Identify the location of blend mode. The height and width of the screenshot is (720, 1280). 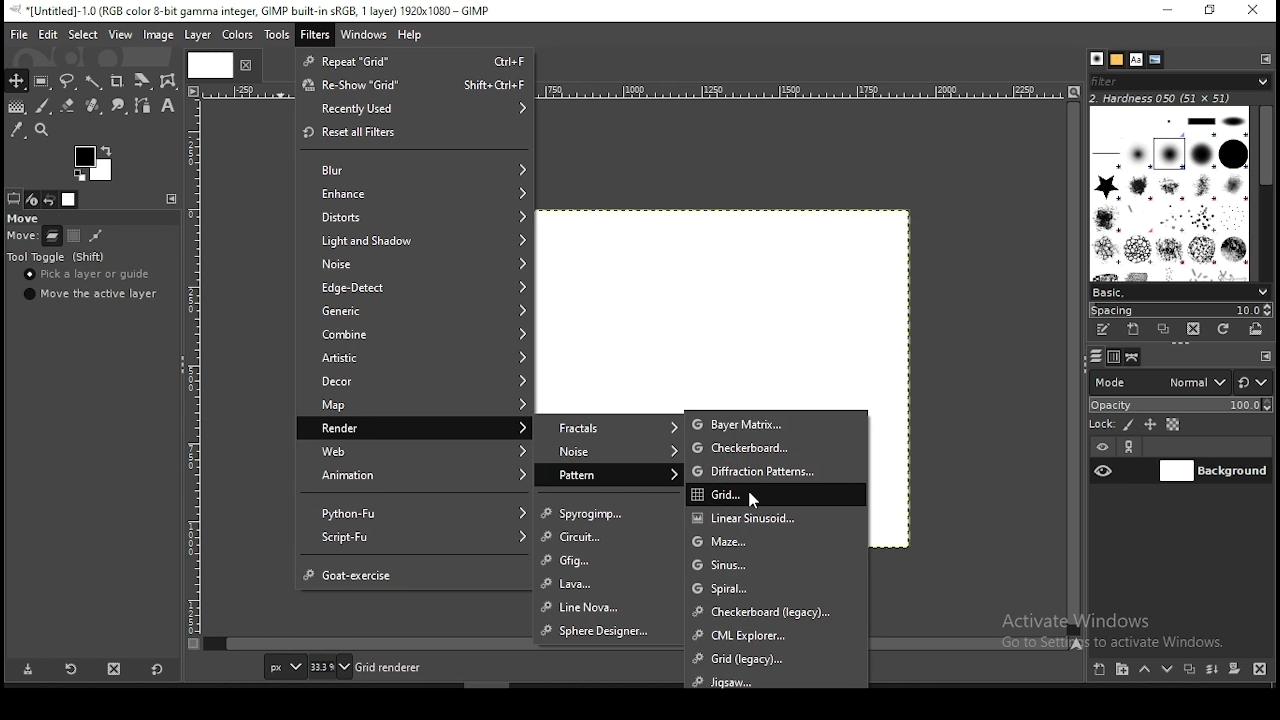
(1180, 382).